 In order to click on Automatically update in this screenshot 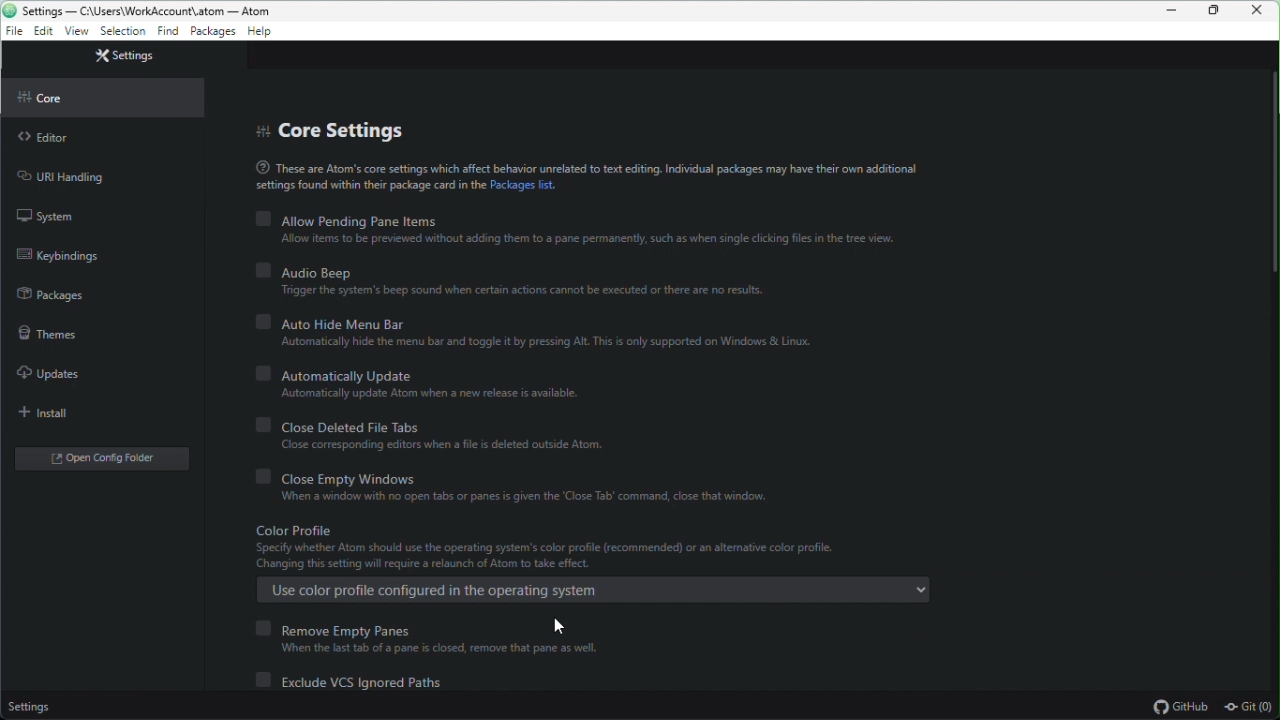, I will do `click(424, 384)`.